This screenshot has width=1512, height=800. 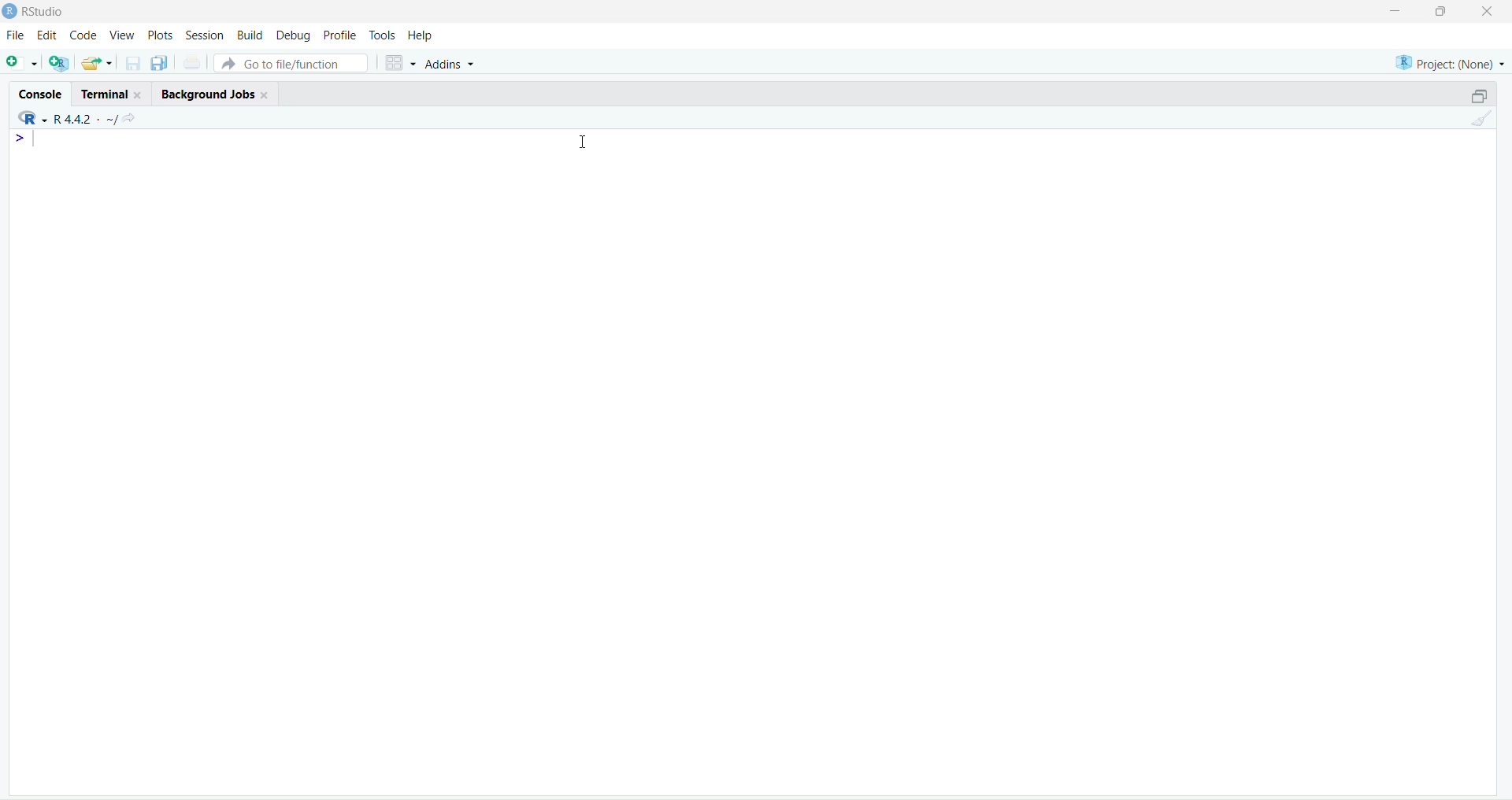 What do you see at coordinates (17, 35) in the screenshot?
I see `File` at bounding box center [17, 35].